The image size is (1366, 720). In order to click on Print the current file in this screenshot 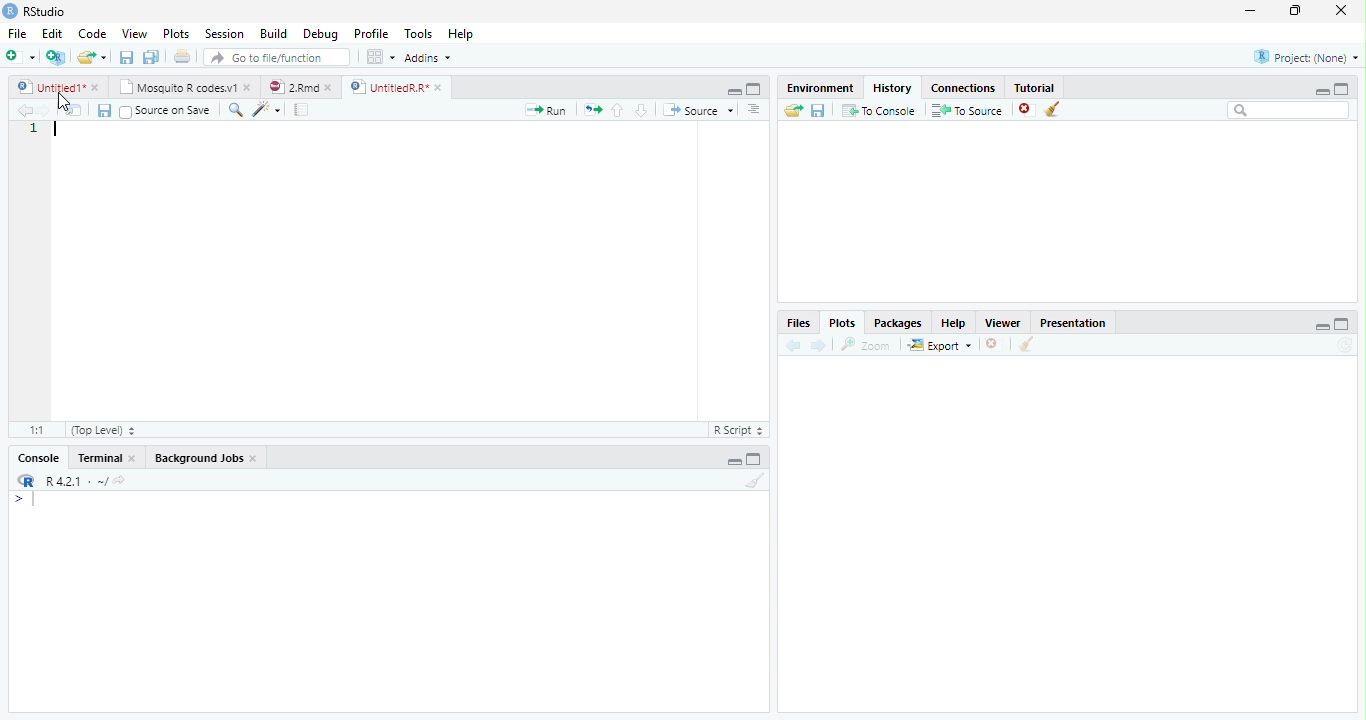, I will do `click(181, 56)`.